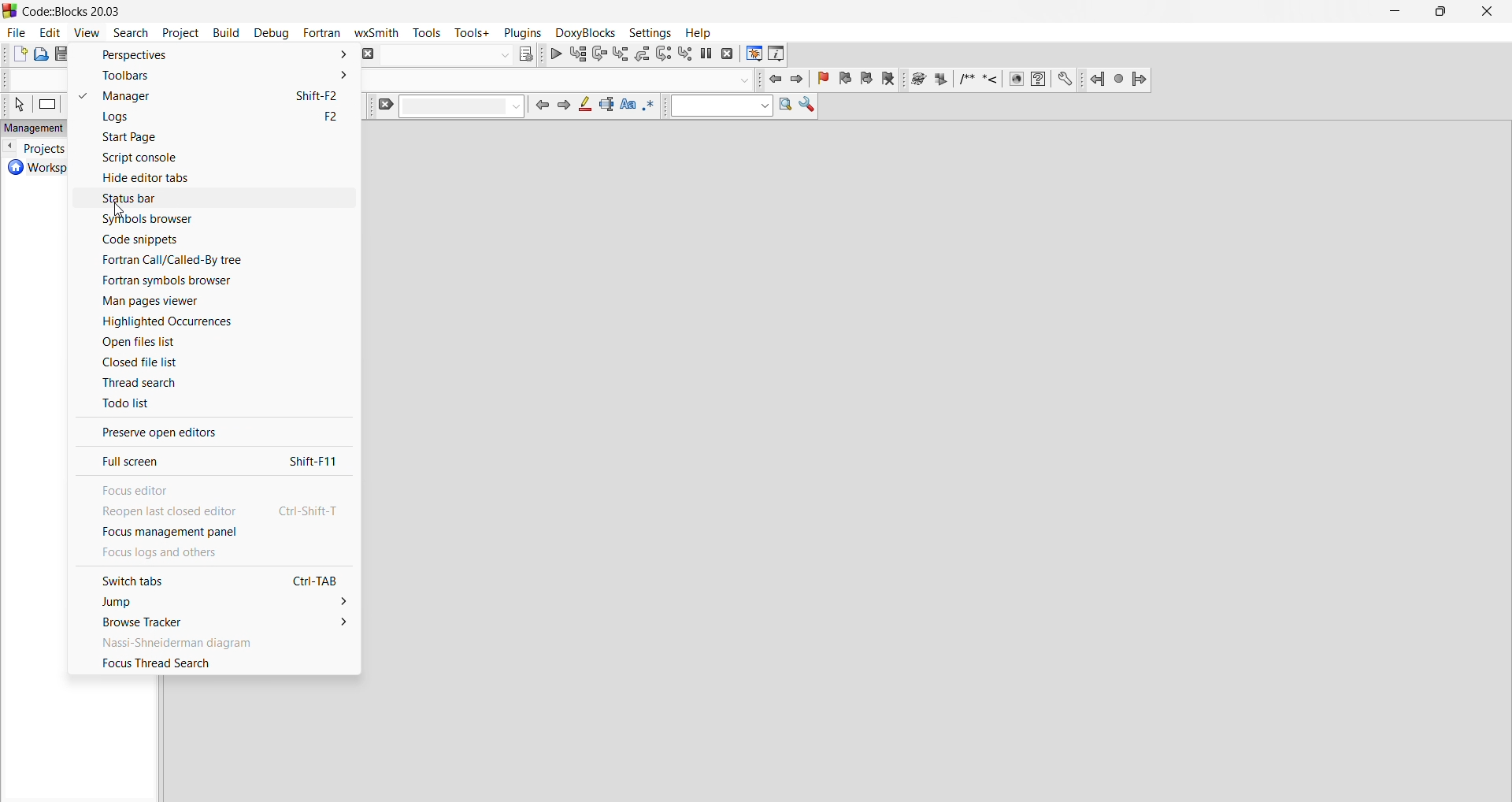  I want to click on preserve open editors, so click(215, 429).